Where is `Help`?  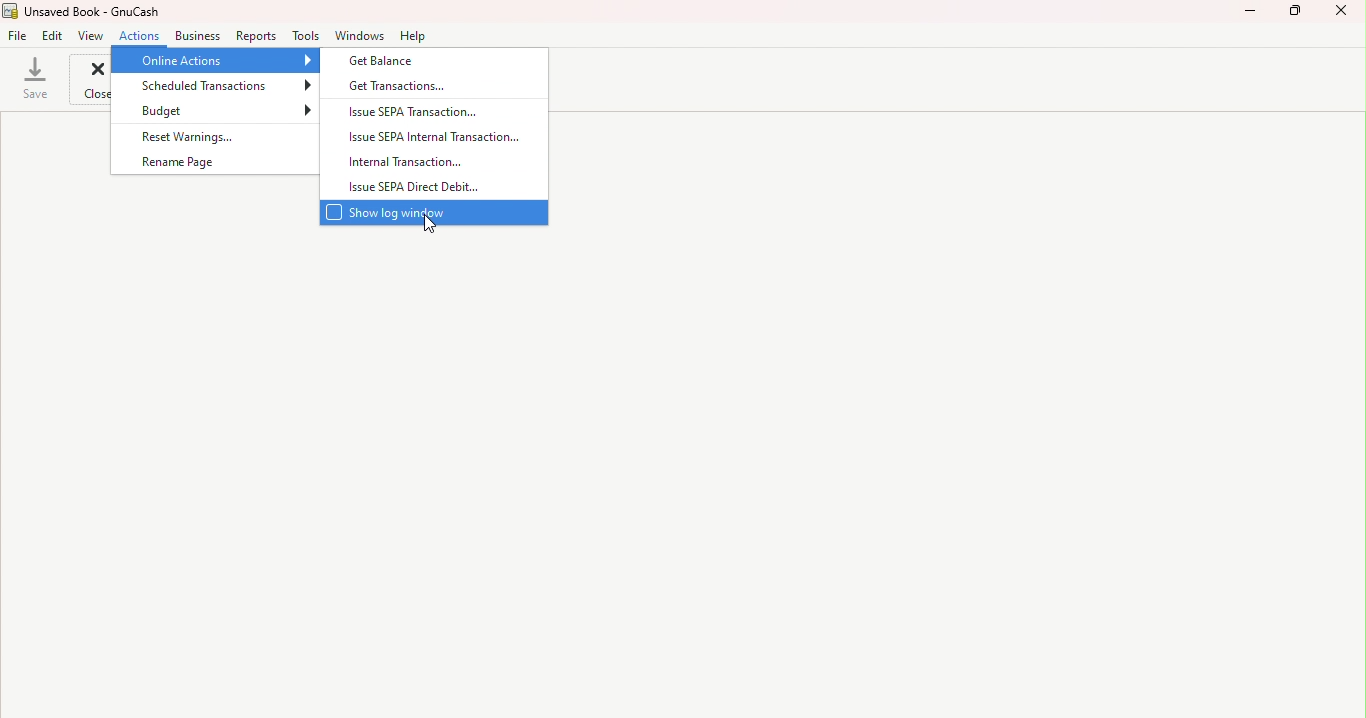 Help is located at coordinates (414, 37).